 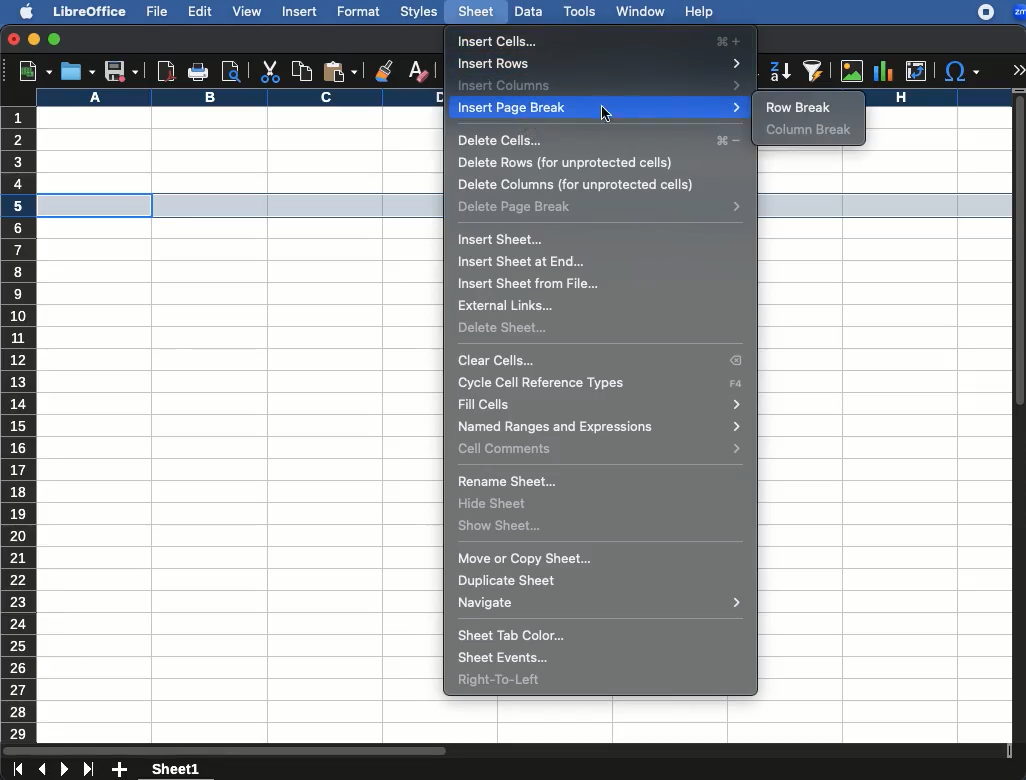 I want to click on next sheet, so click(x=62, y=770).